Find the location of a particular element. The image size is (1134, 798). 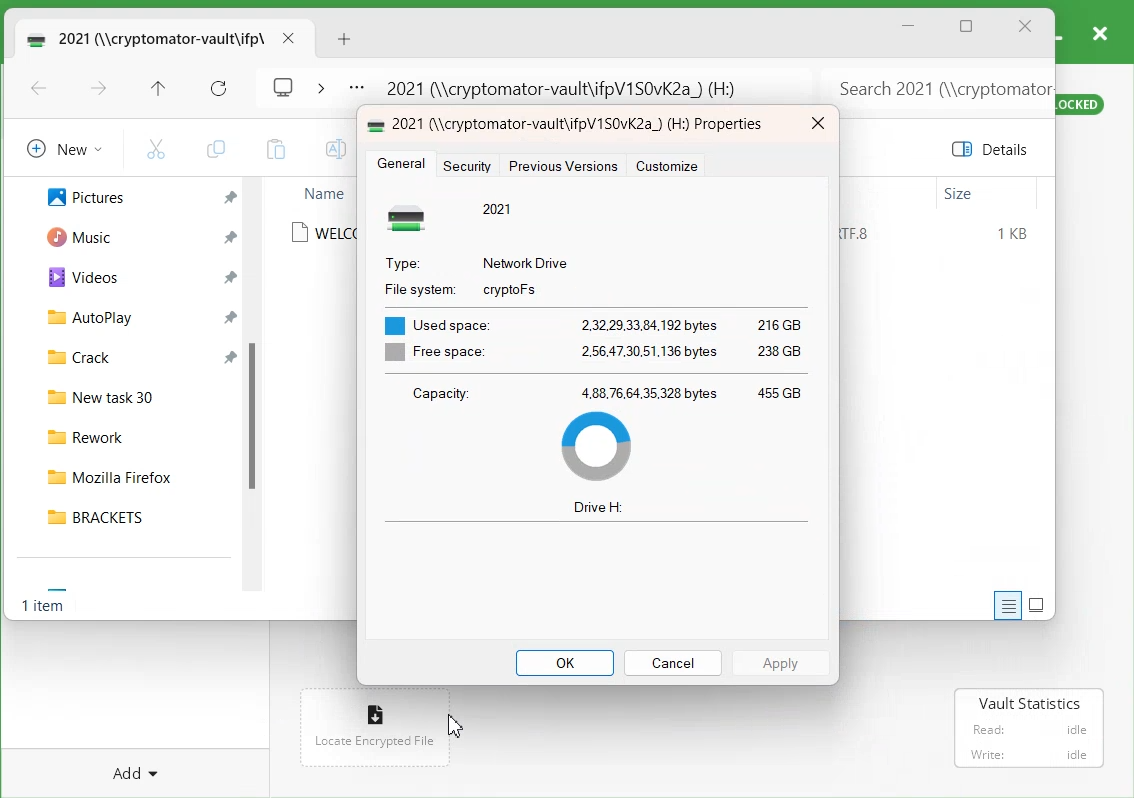

Copy is located at coordinates (215, 149).